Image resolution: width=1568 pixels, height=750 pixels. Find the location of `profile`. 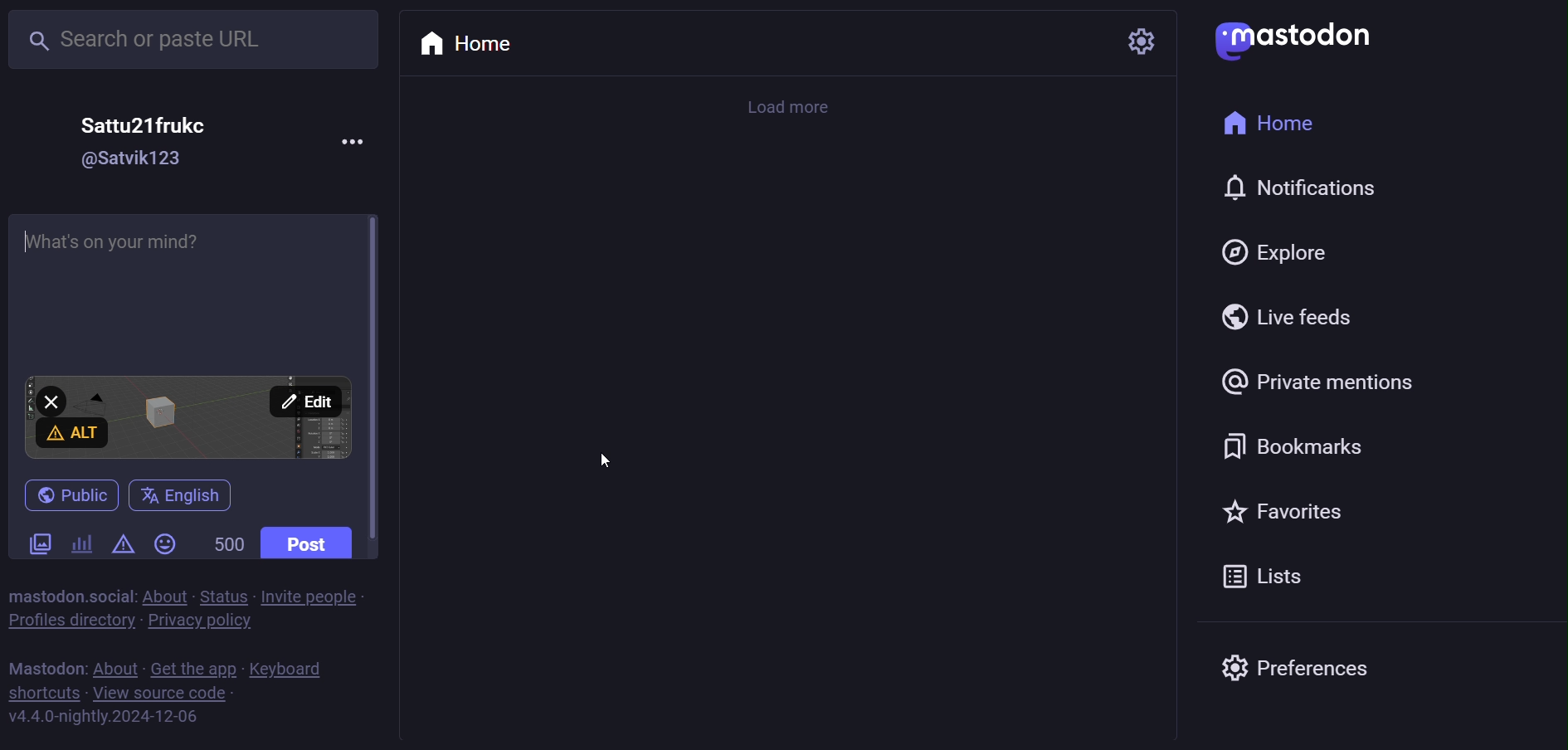

profile is located at coordinates (68, 622).